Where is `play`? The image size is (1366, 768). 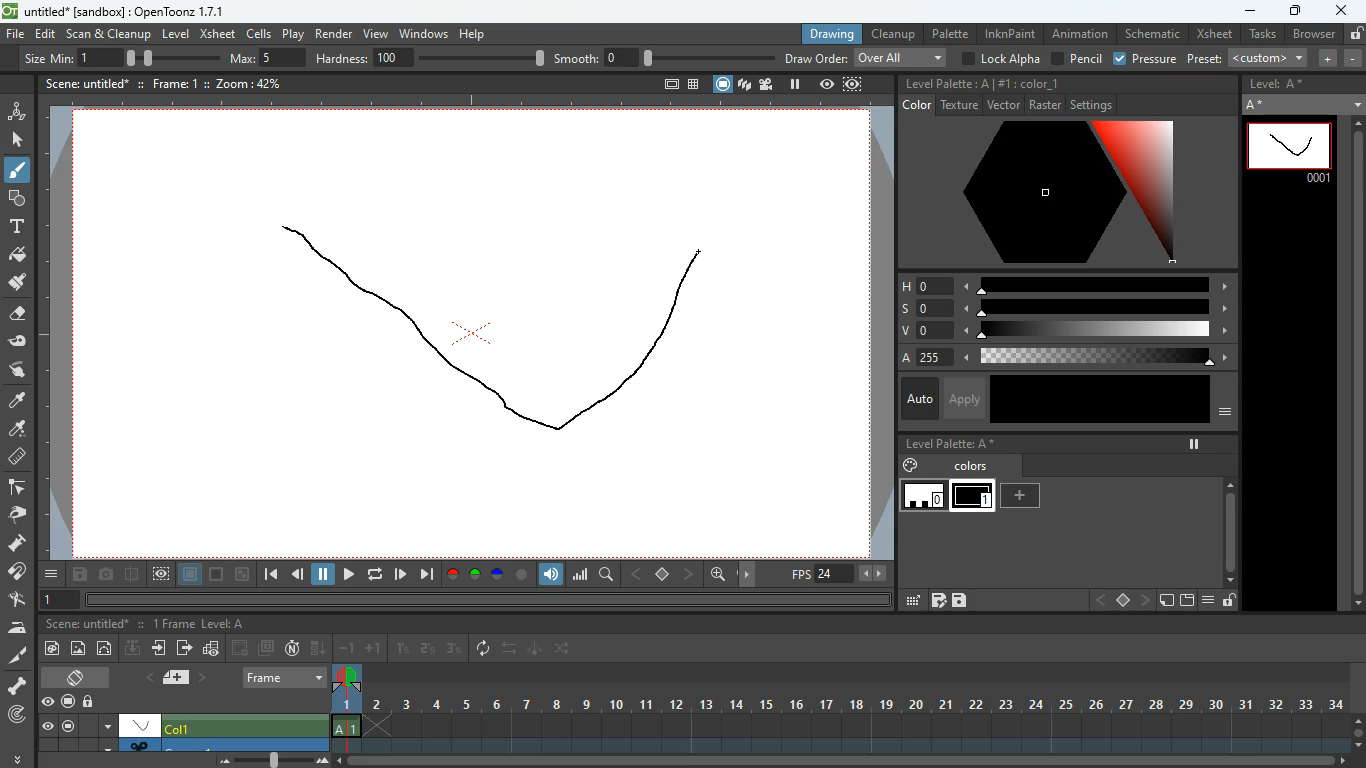
play is located at coordinates (295, 33).